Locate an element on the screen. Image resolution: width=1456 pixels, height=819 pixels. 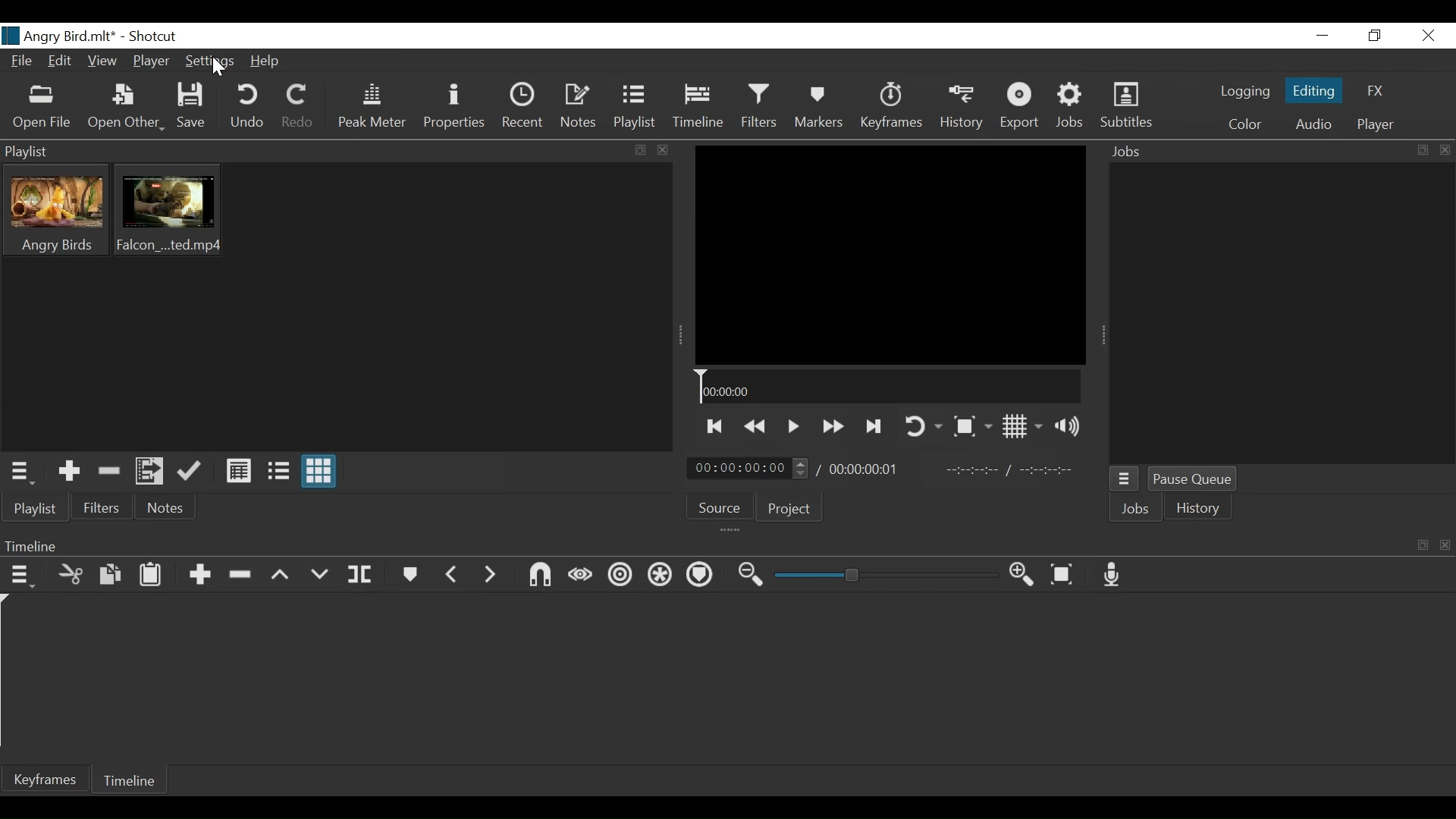
Ripple is located at coordinates (618, 575).